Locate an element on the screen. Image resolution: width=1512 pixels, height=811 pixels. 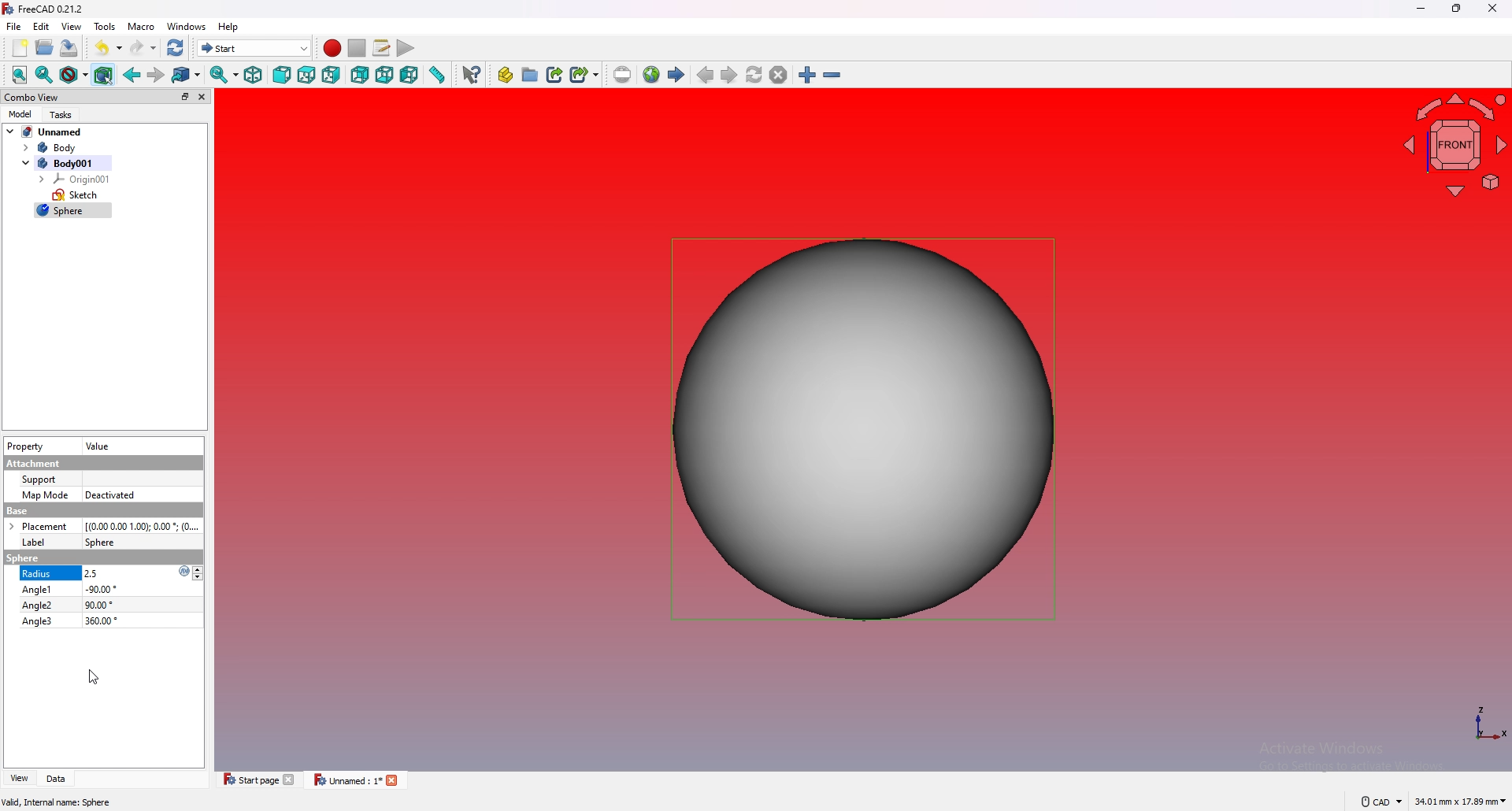
cursor is located at coordinates (93, 676).